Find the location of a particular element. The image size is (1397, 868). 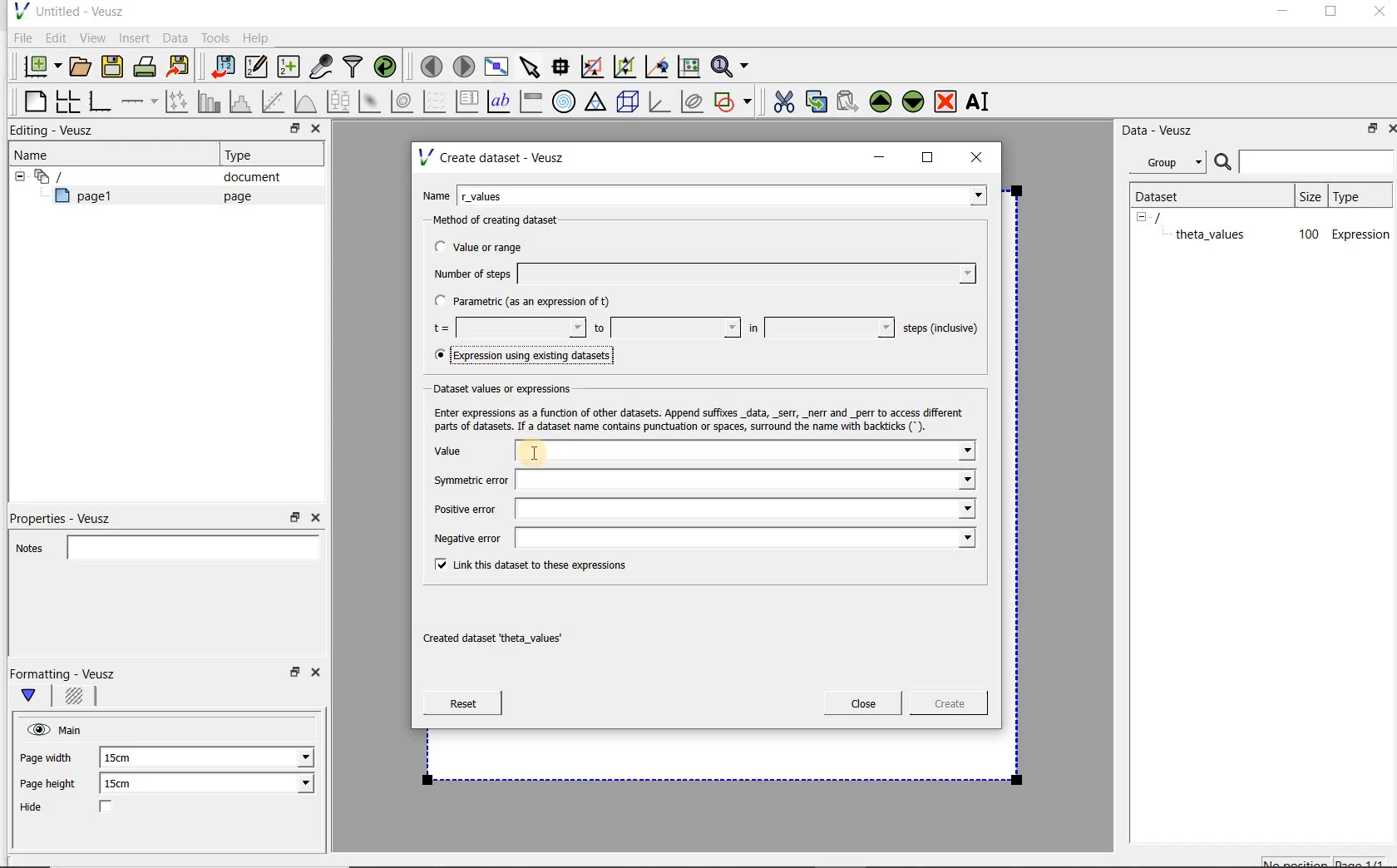

maximize is located at coordinates (928, 158).